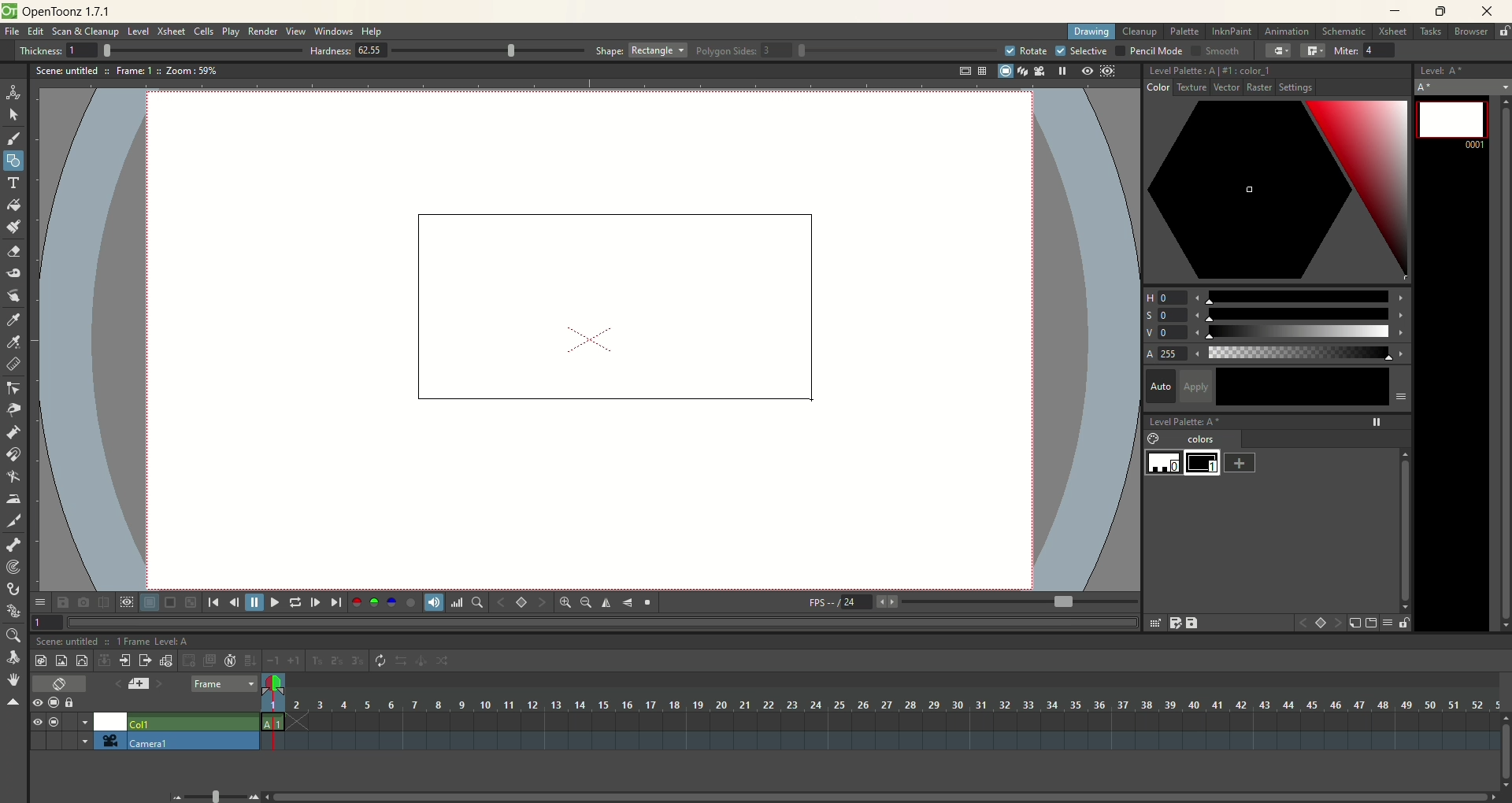 The width and height of the screenshot is (1512, 803). I want to click on next frame, so click(314, 602).